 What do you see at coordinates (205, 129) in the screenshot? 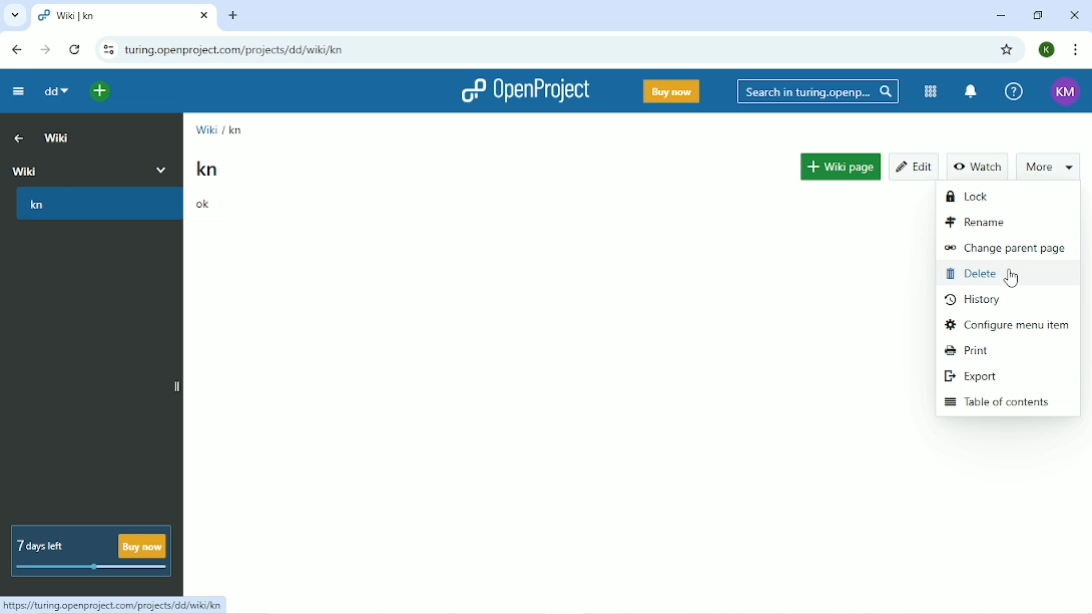
I see `Wiki` at bounding box center [205, 129].